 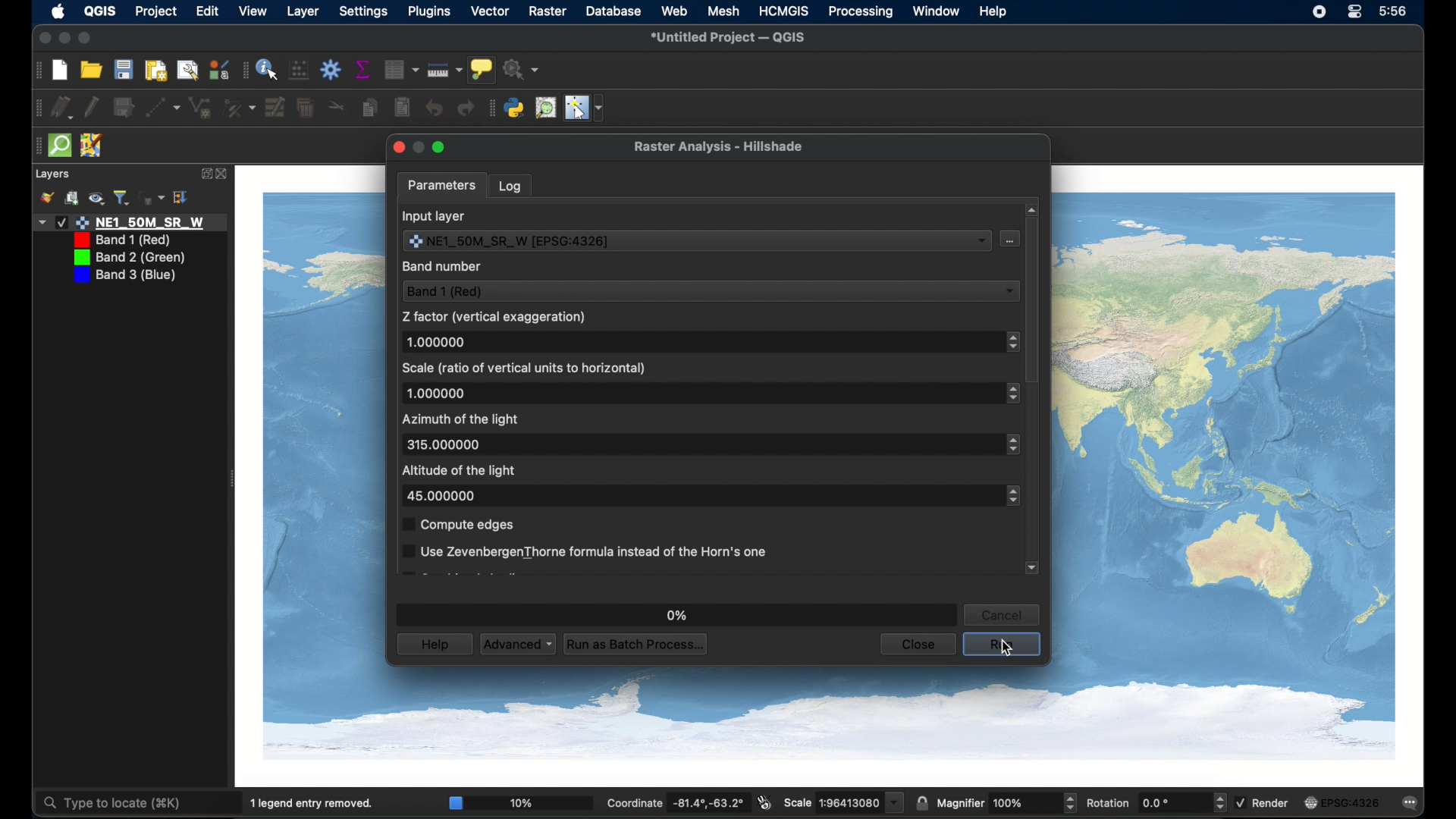 What do you see at coordinates (482, 69) in the screenshot?
I see `show map tips` at bounding box center [482, 69].